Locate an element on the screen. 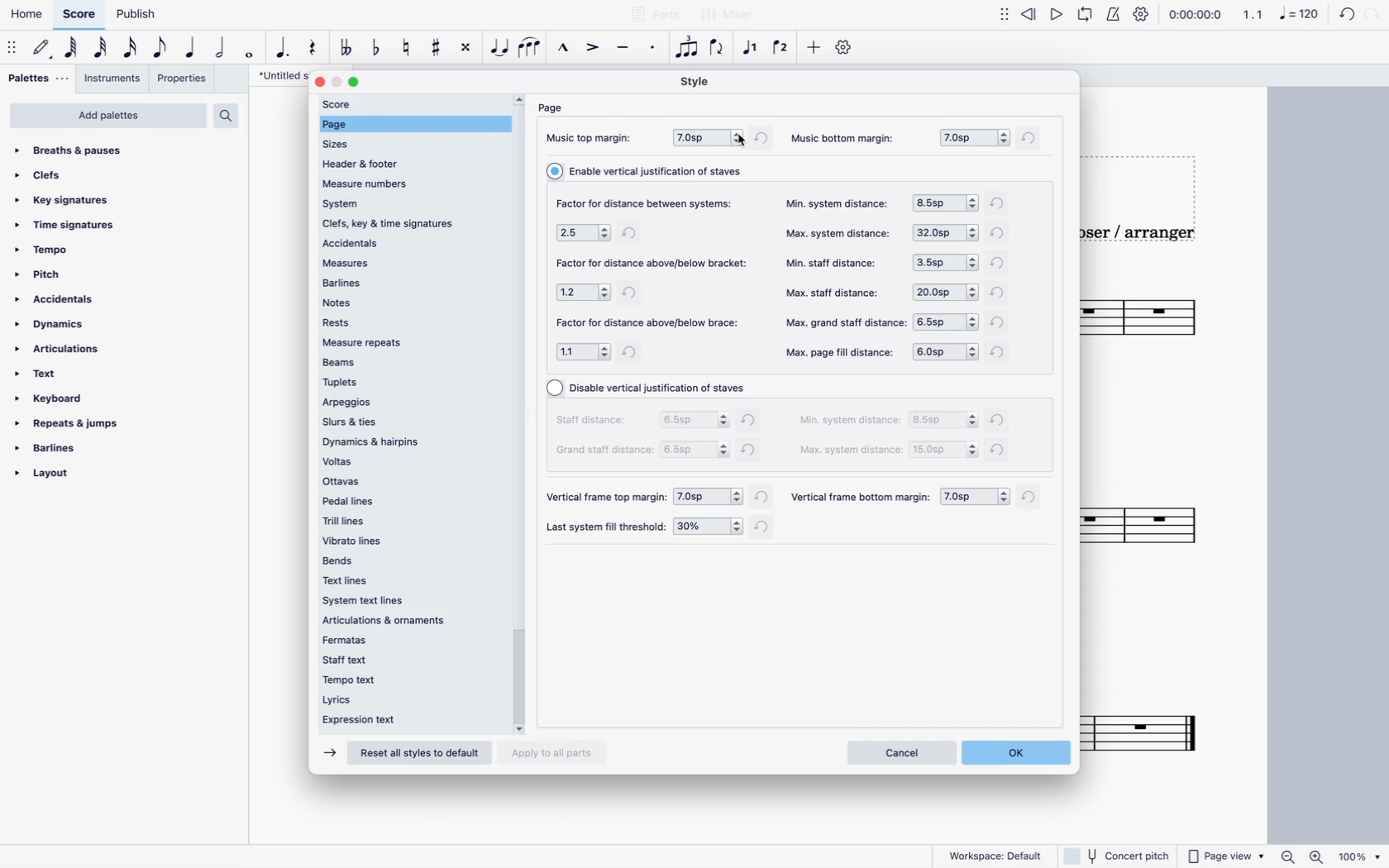 The height and width of the screenshot is (868, 1389). layout is located at coordinates (46, 475).